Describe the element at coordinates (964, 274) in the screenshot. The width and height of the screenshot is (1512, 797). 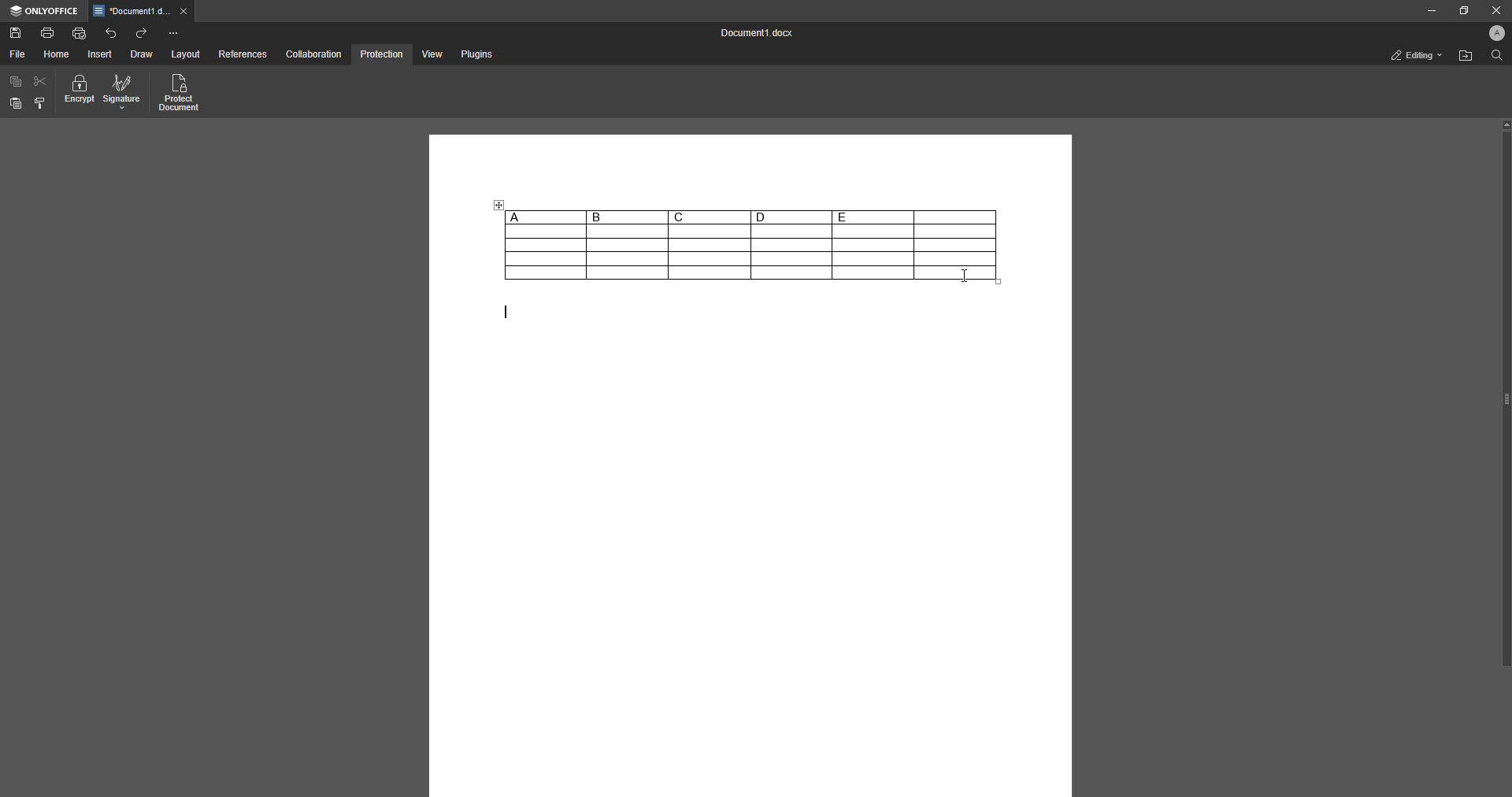
I see `Cursor Position` at that location.